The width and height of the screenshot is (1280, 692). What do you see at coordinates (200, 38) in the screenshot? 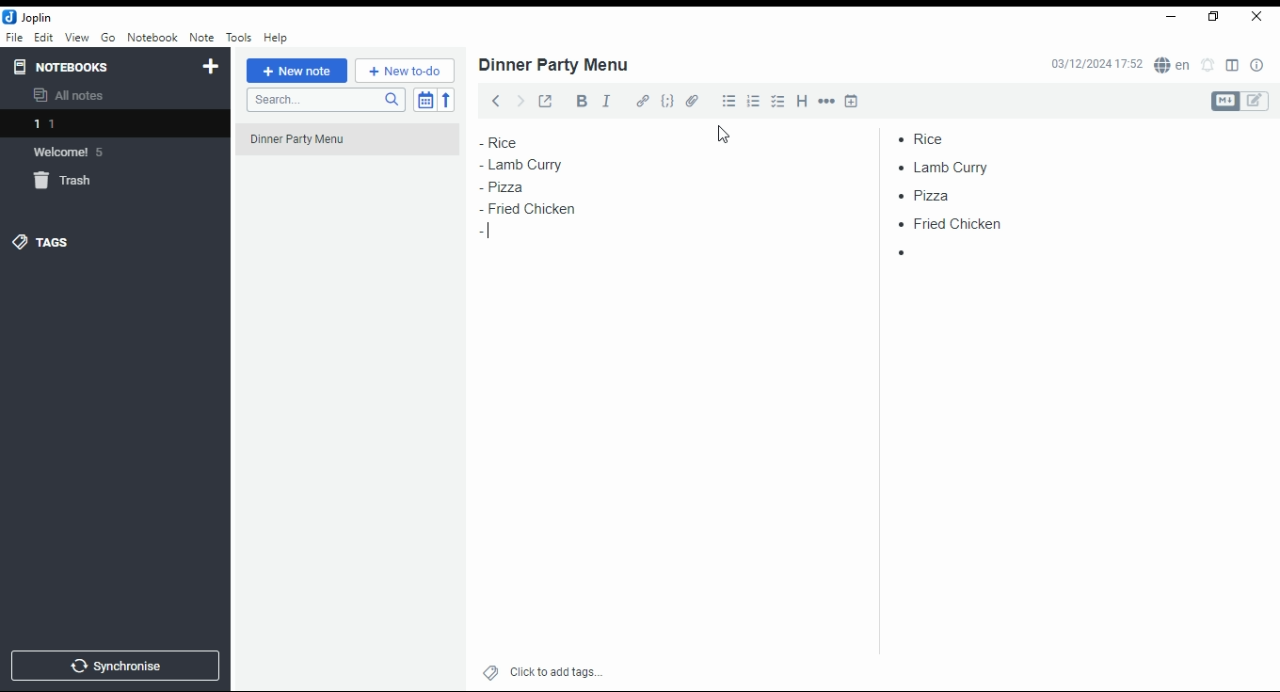
I see `note` at bounding box center [200, 38].